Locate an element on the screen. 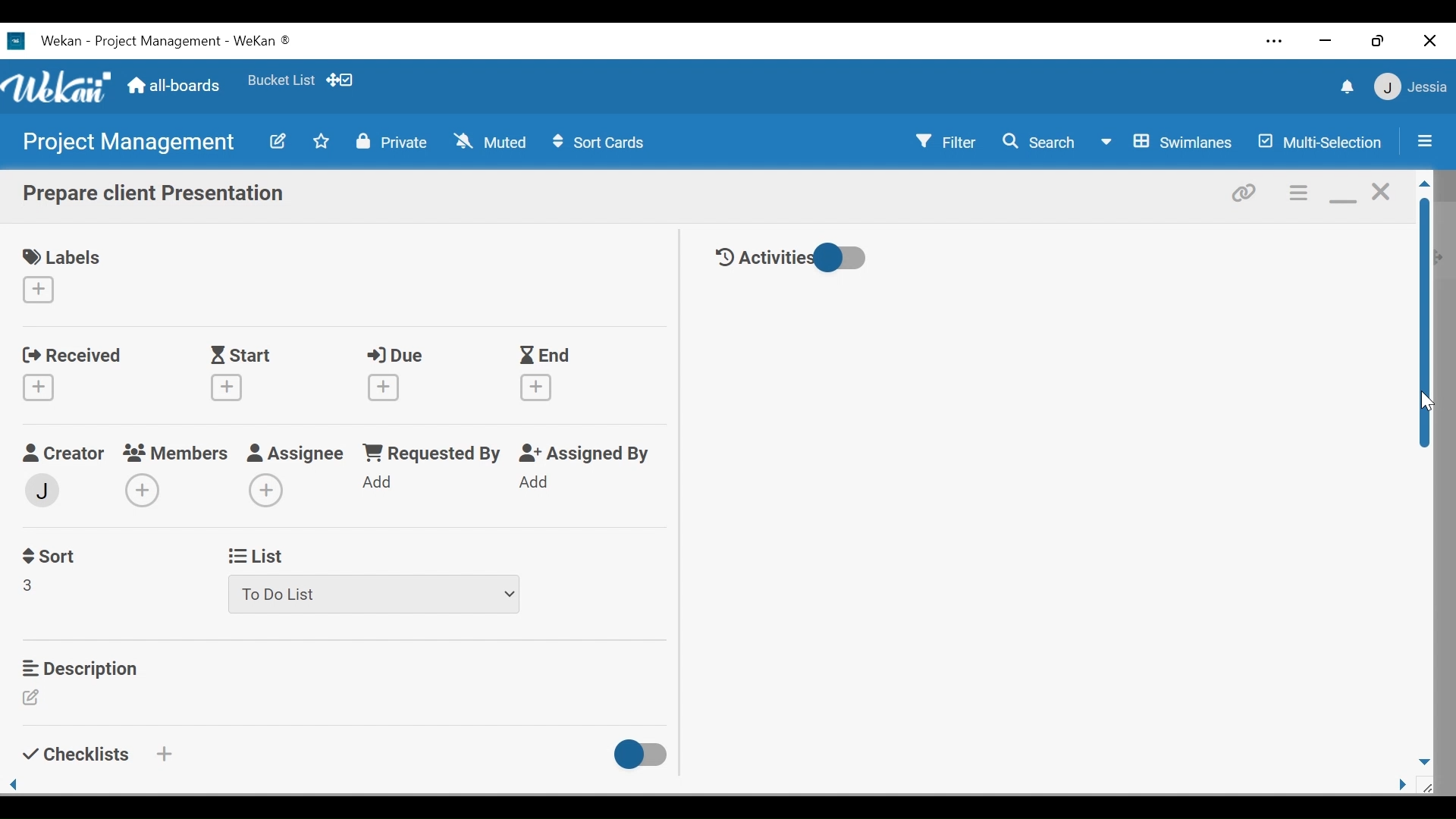  Create Due date is located at coordinates (384, 388).